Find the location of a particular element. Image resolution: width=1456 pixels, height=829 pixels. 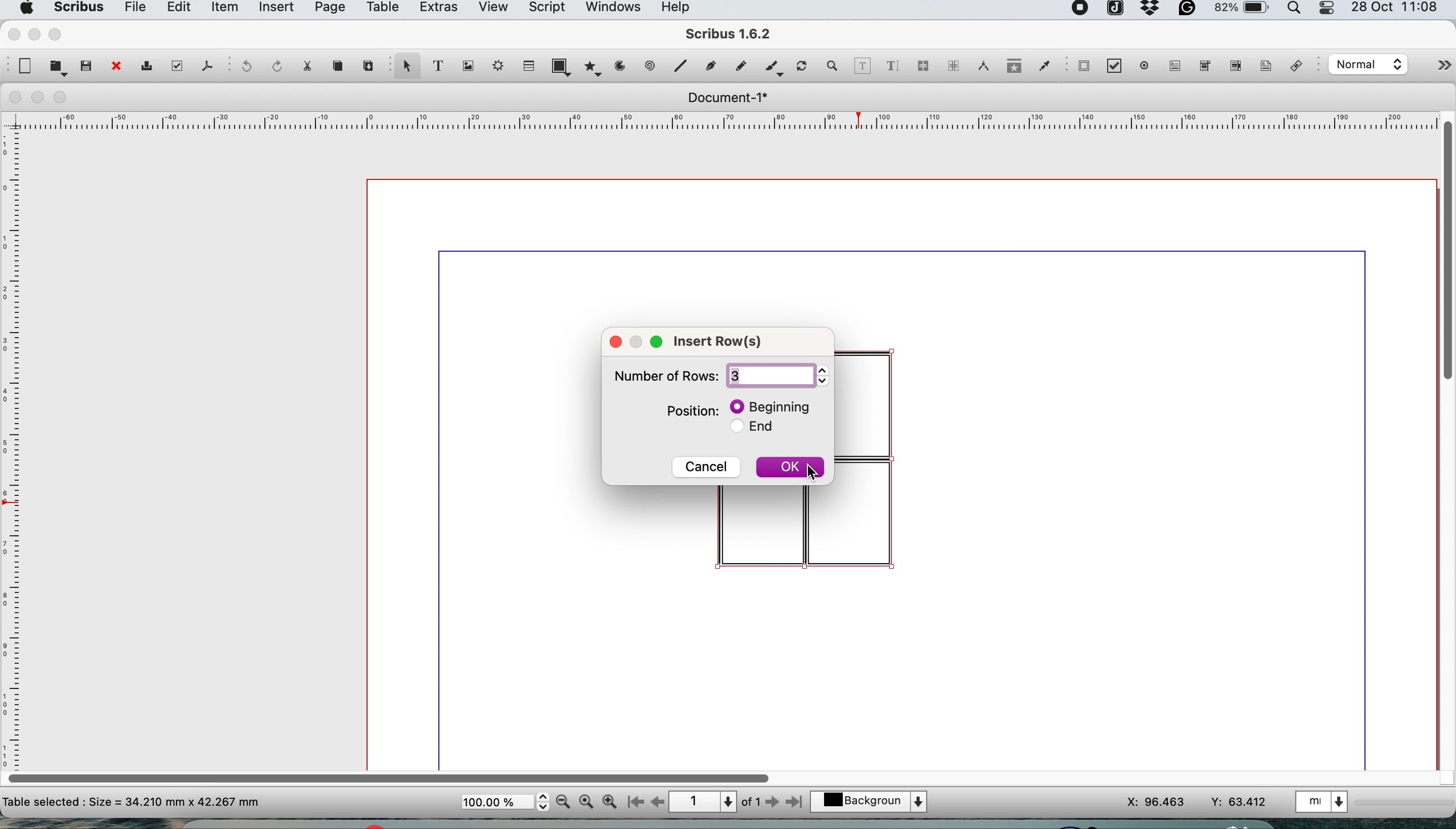

horizontal scale is located at coordinates (729, 124).